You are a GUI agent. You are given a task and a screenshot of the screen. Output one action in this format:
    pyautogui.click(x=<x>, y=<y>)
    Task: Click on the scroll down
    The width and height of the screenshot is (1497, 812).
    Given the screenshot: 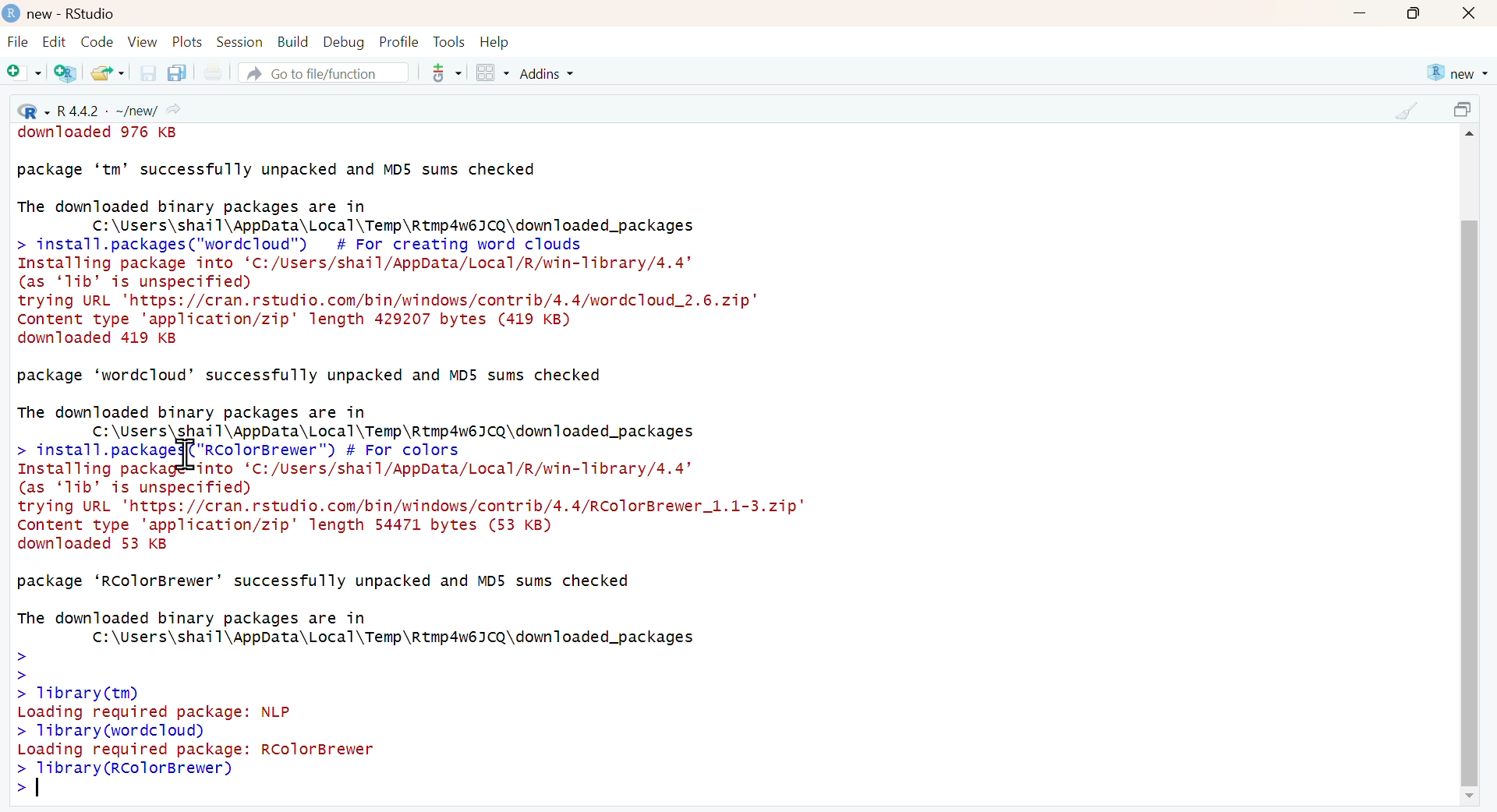 What is the action you would take?
    pyautogui.click(x=1464, y=796)
    